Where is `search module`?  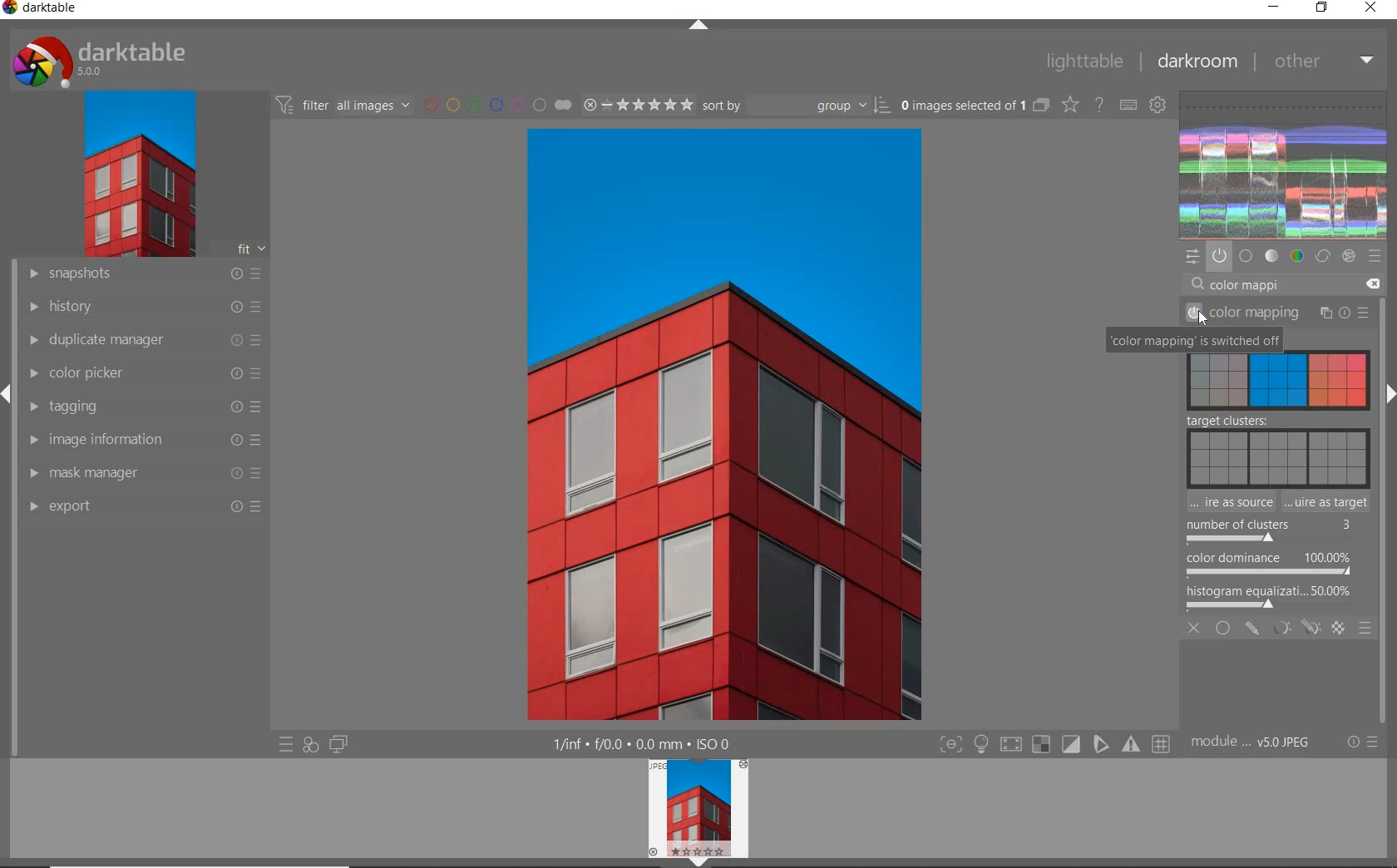
search module is located at coordinates (1286, 283).